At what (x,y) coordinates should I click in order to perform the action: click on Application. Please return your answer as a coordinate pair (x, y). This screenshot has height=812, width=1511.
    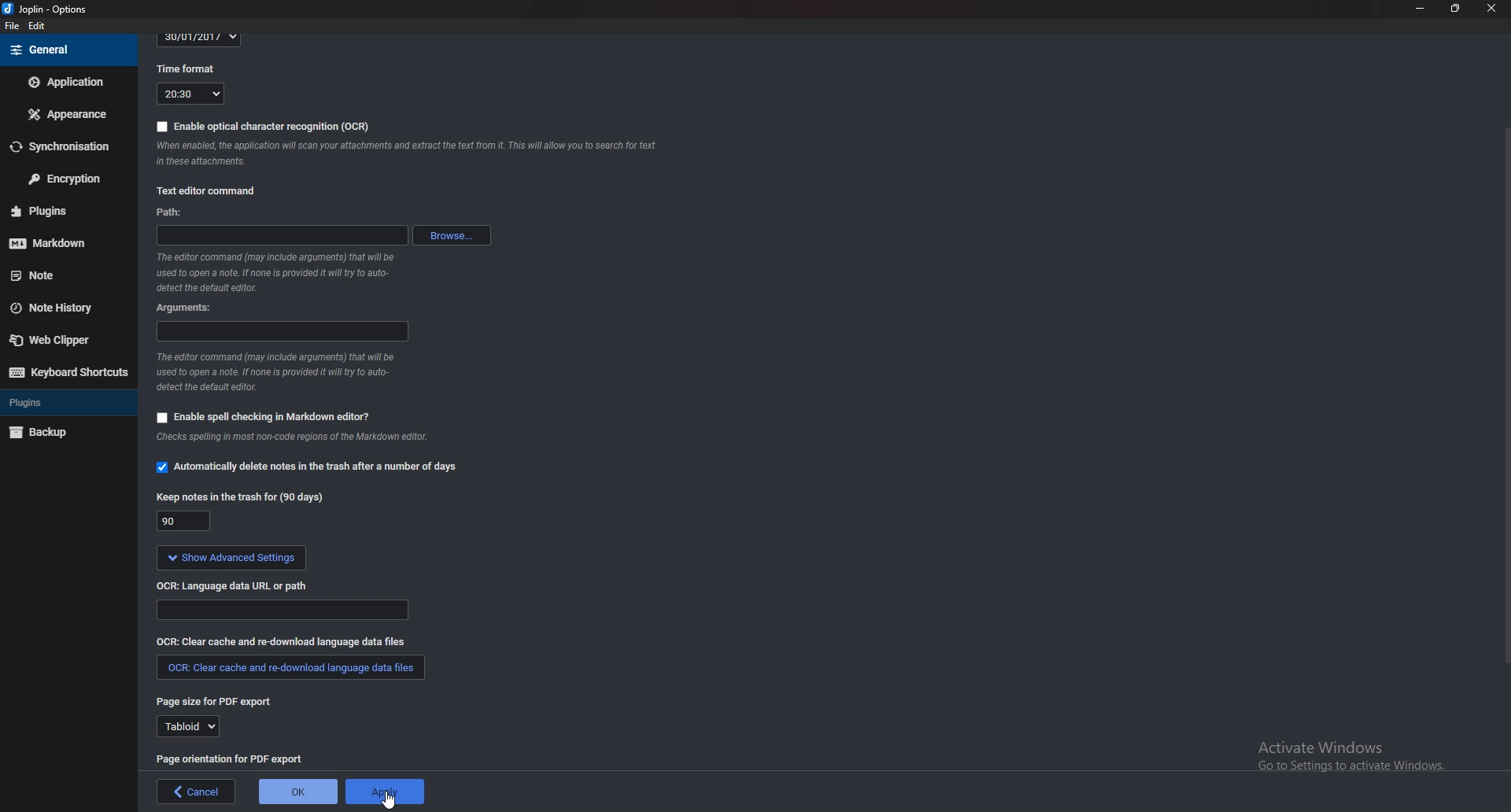
    Looking at the image, I should click on (67, 81).